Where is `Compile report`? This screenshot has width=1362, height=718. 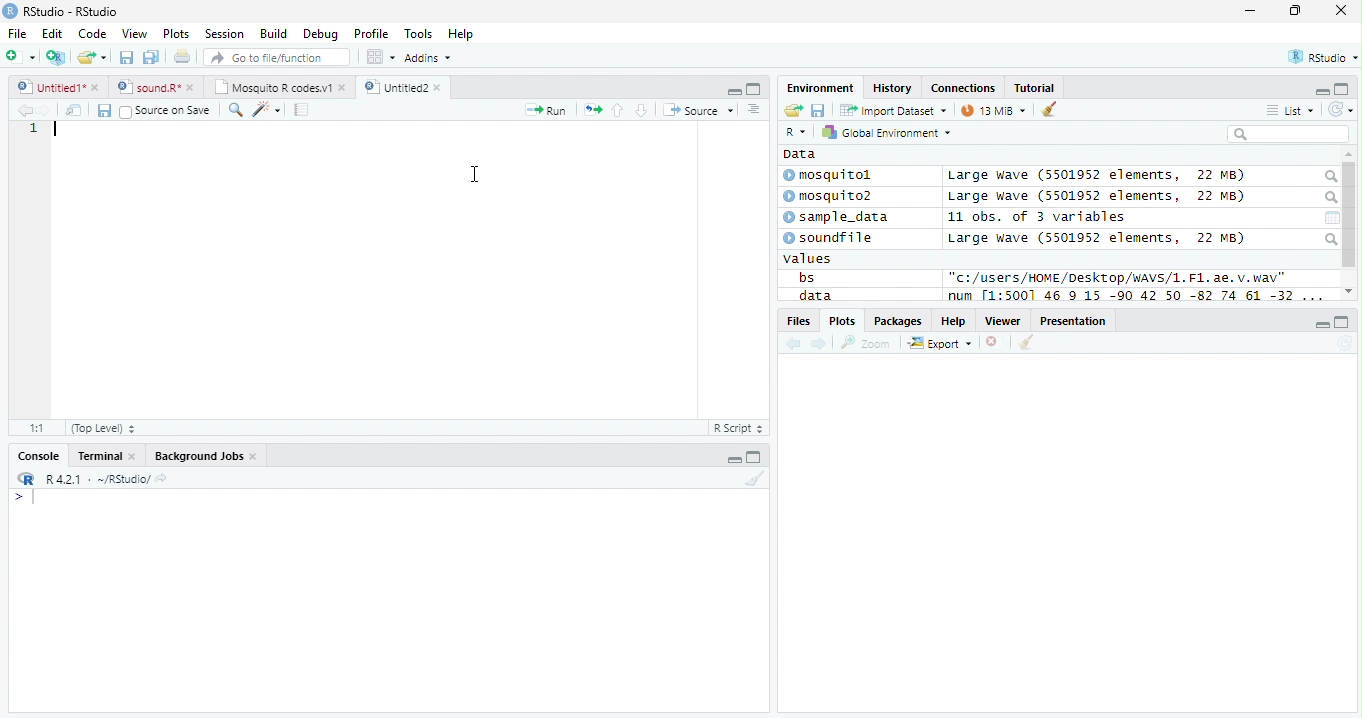
Compile report is located at coordinates (302, 110).